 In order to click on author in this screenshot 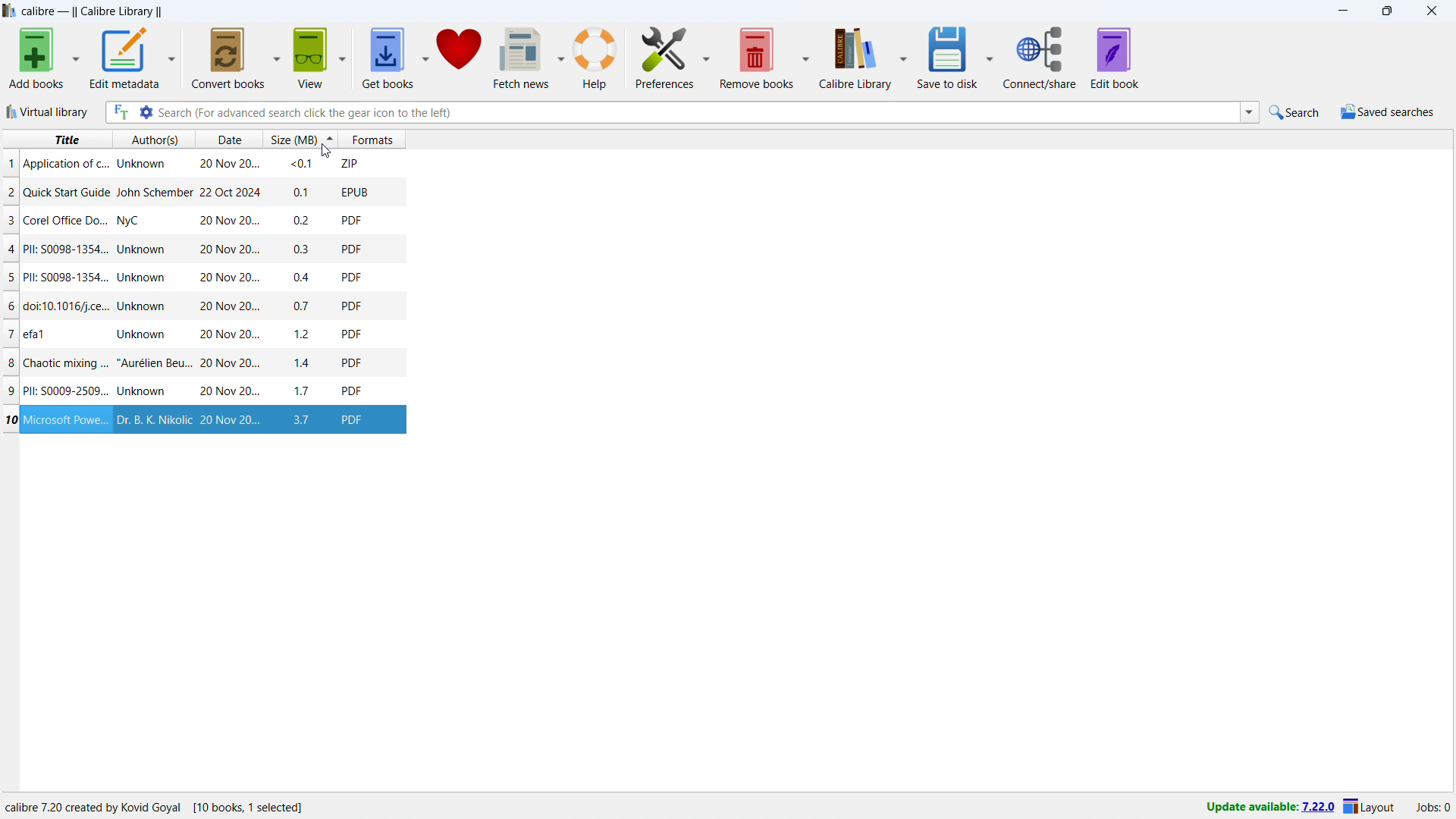, I will do `click(143, 164)`.